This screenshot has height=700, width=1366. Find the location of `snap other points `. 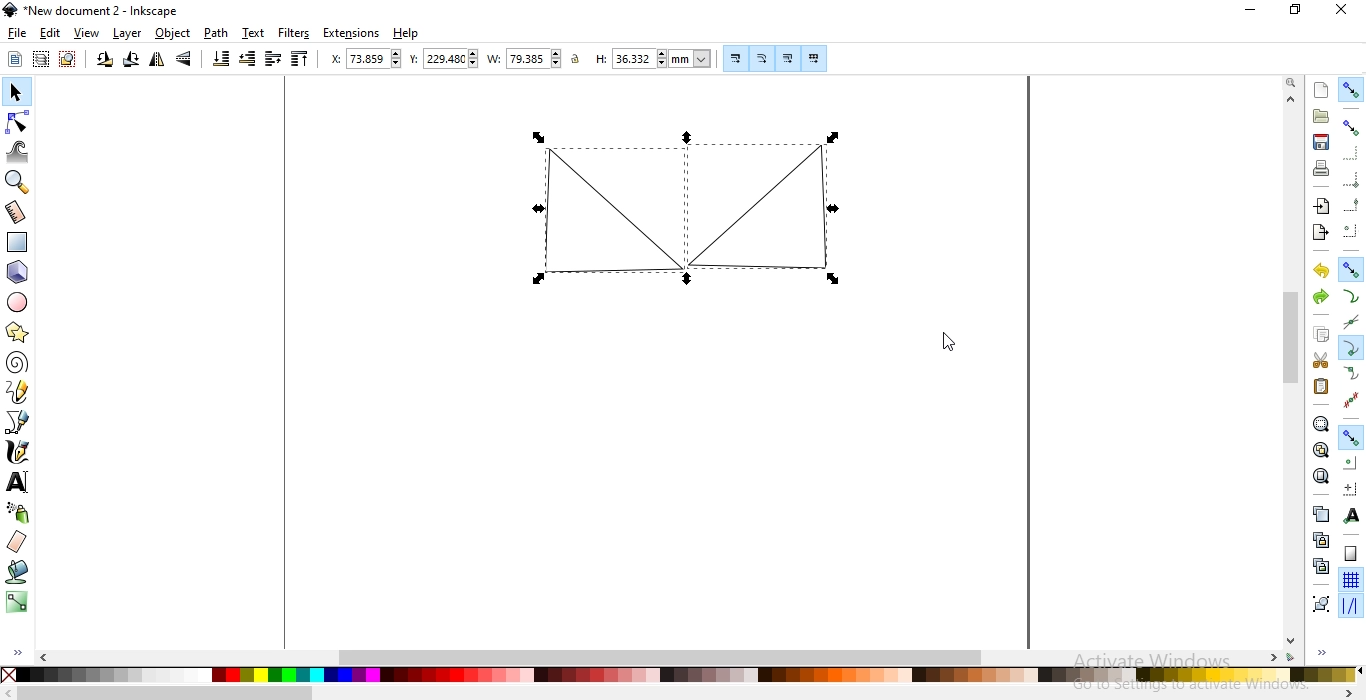

snap other points  is located at coordinates (1350, 437).